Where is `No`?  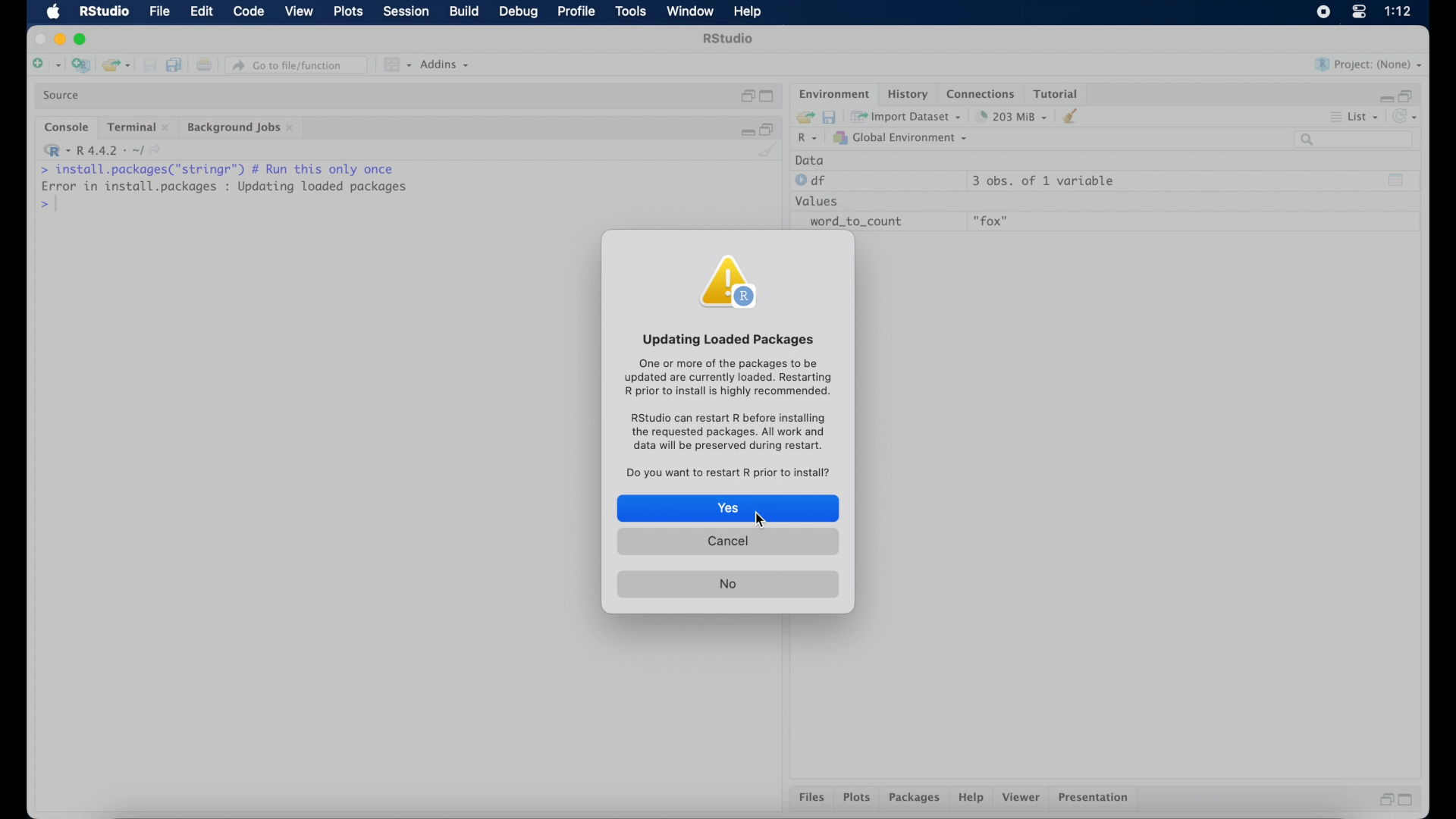 No is located at coordinates (727, 585).